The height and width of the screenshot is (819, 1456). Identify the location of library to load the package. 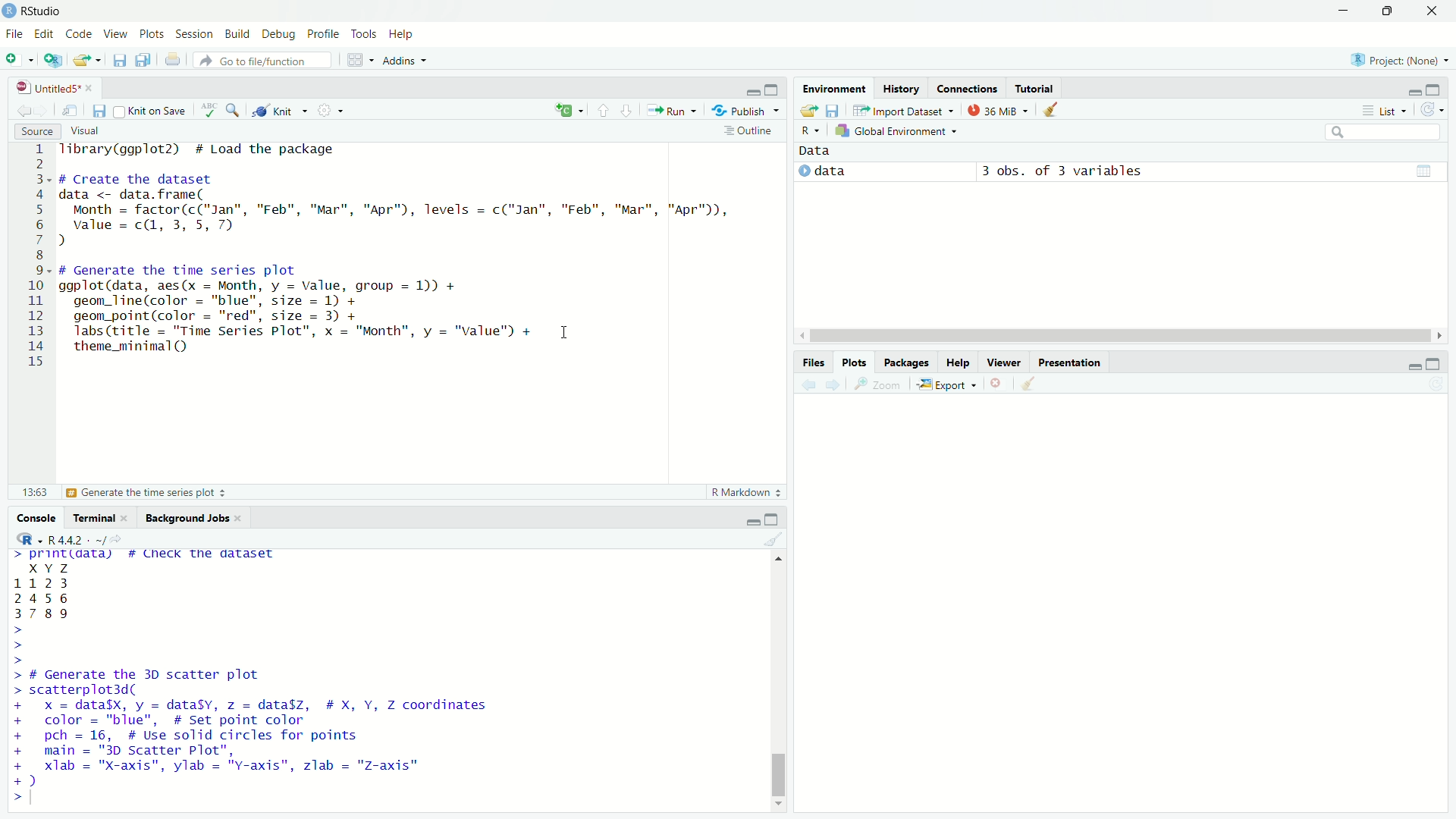
(209, 149).